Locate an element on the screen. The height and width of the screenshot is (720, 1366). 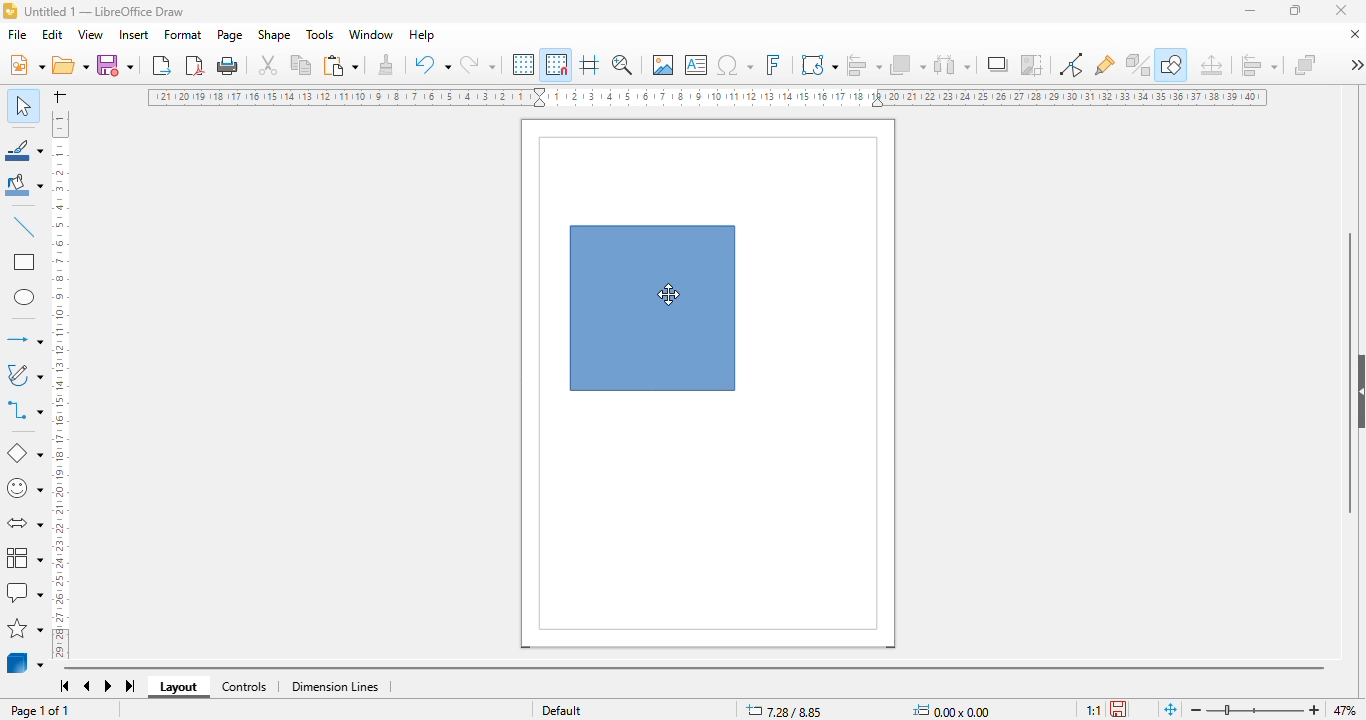
connectors is located at coordinates (25, 410).